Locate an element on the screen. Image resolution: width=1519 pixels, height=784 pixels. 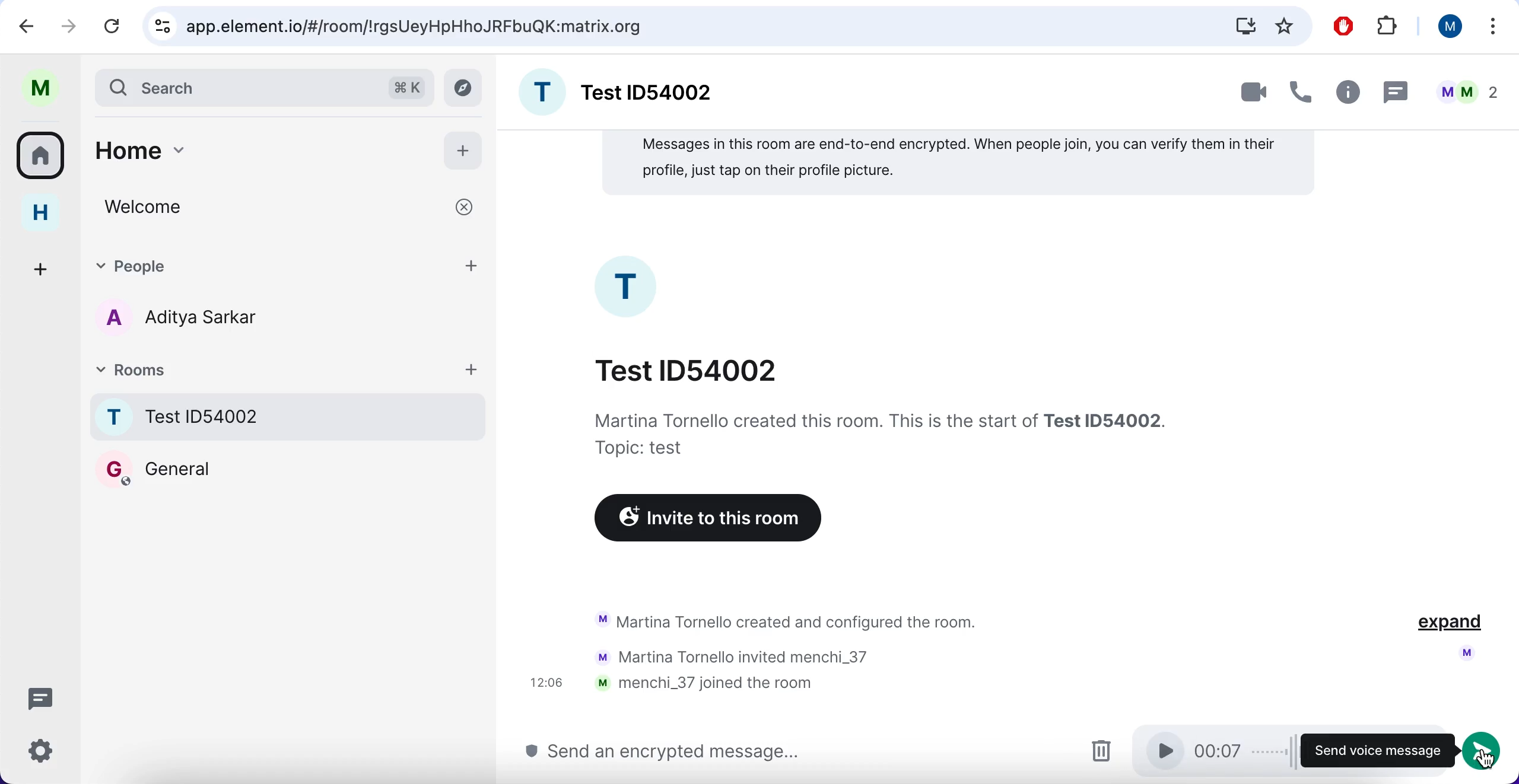
search is located at coordinates (234, 87).